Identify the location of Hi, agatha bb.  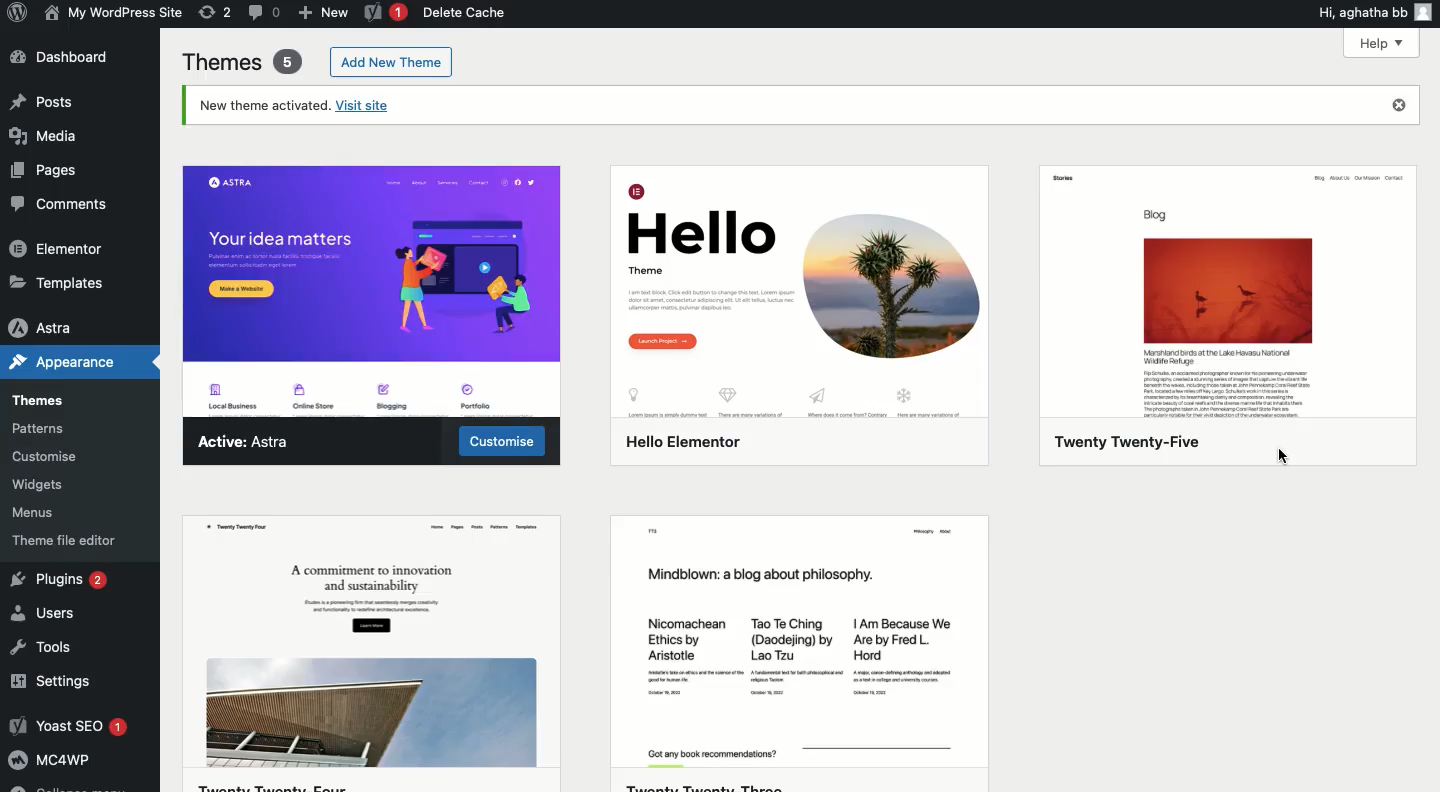
(1358, 13).